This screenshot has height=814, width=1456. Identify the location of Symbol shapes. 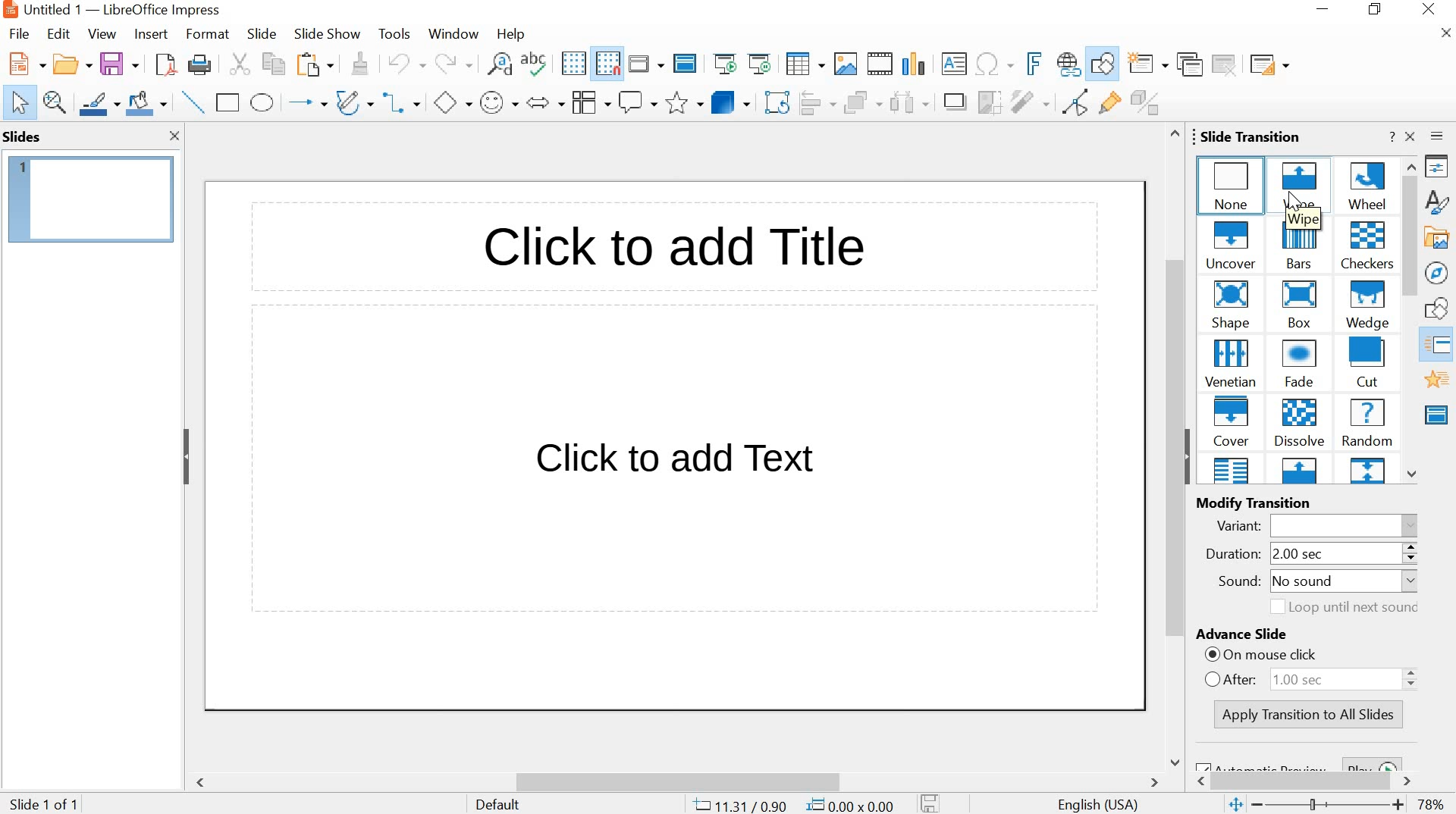
(497, 101).